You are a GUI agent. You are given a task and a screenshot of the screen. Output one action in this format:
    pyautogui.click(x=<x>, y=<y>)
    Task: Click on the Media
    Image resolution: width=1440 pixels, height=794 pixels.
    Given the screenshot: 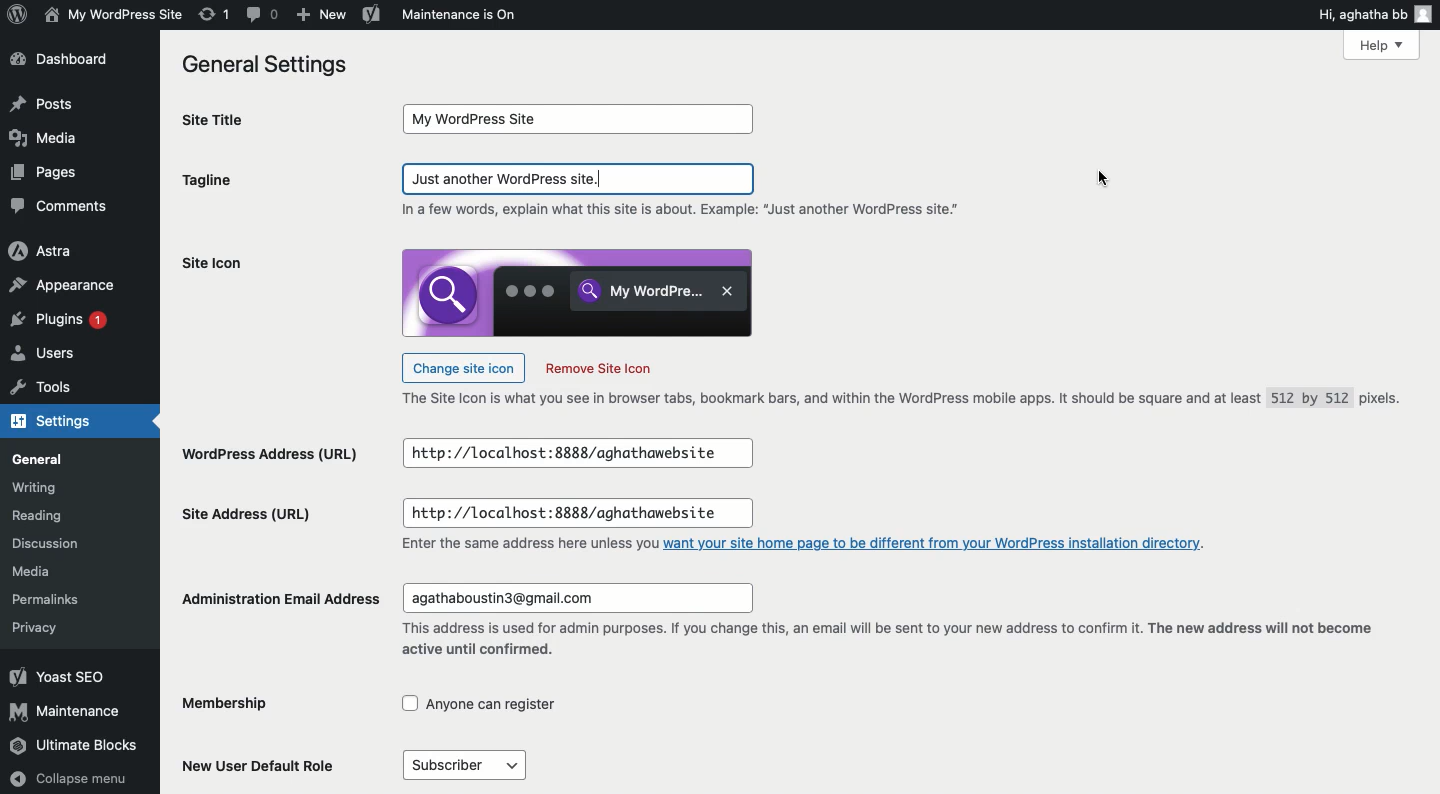 What is the action you would take?
    pyautogui.click(x=37, y=572)
    